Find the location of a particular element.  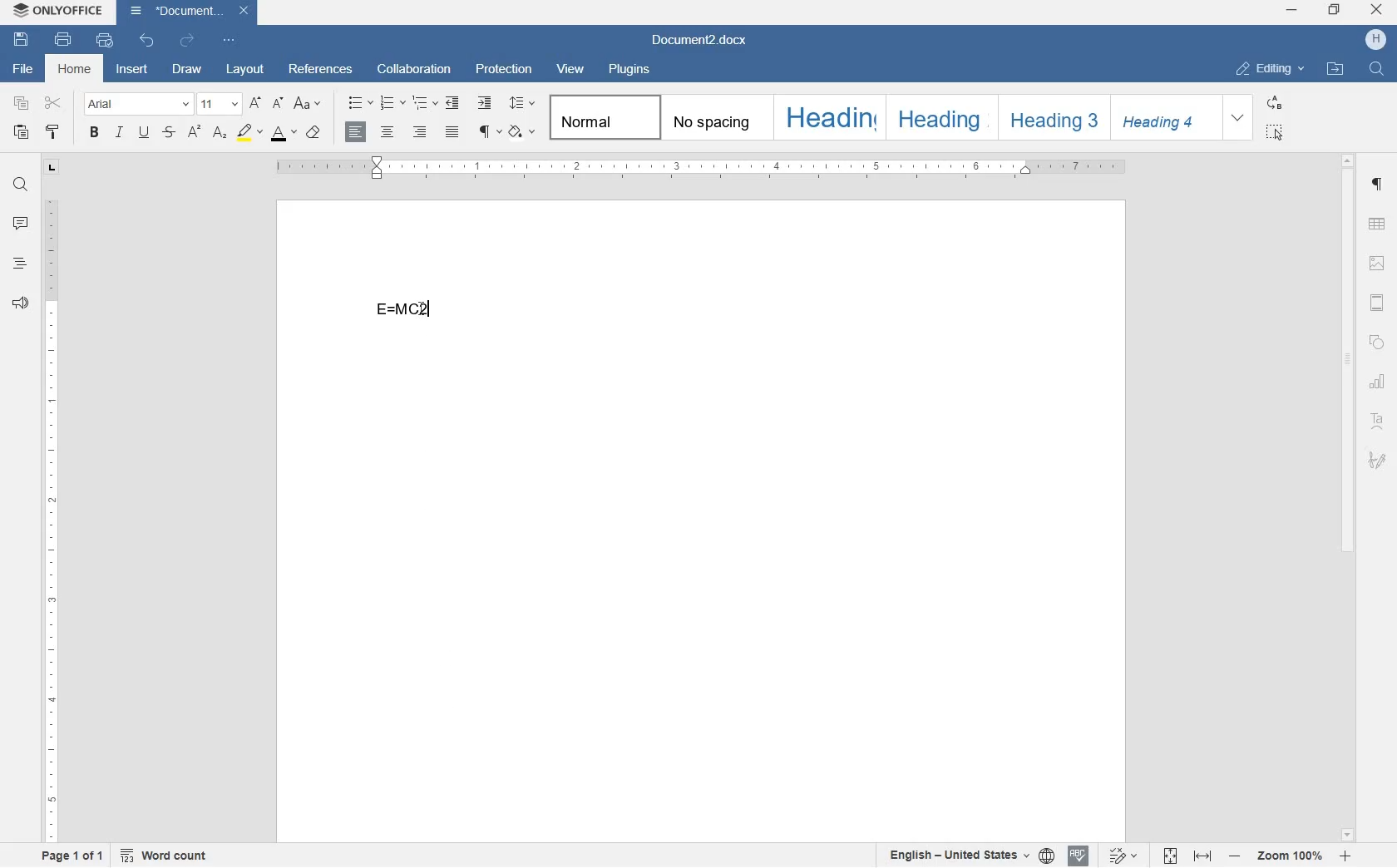

insert  is located at coordinates (131, 71).